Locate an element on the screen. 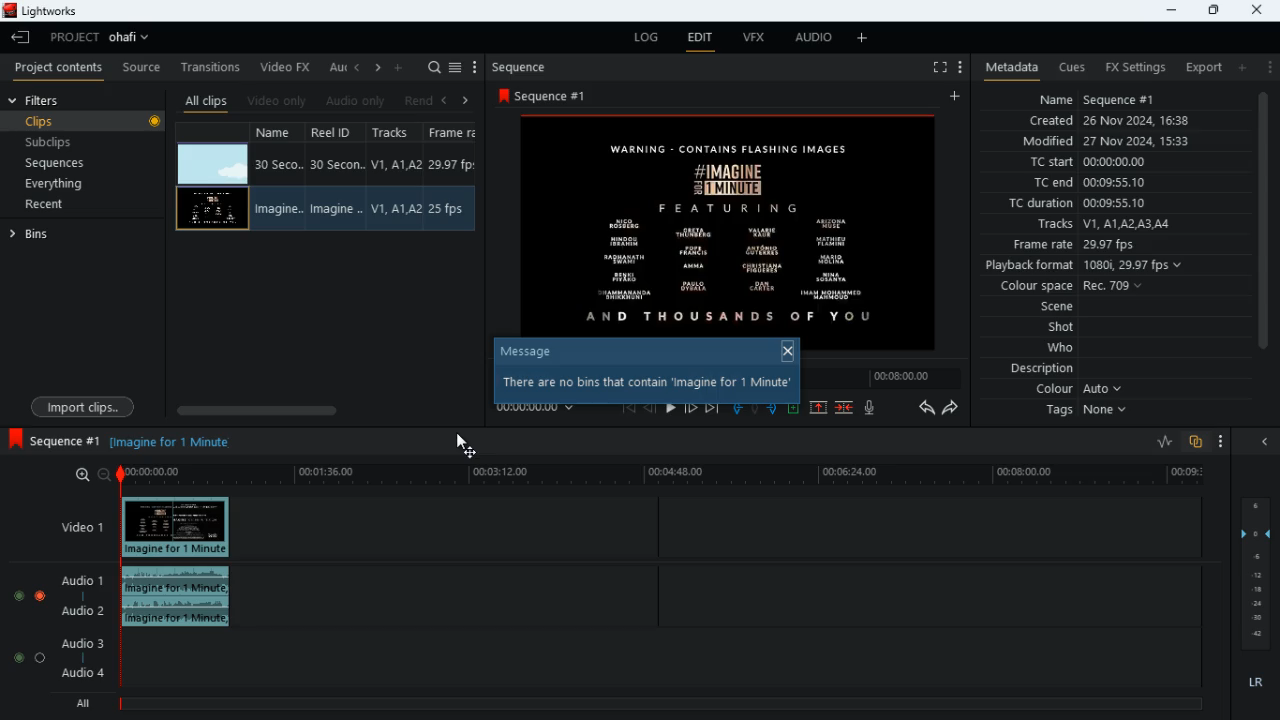 The height and width of the screenshot is (720, 1280). close is located at coordinates (1258, 8).